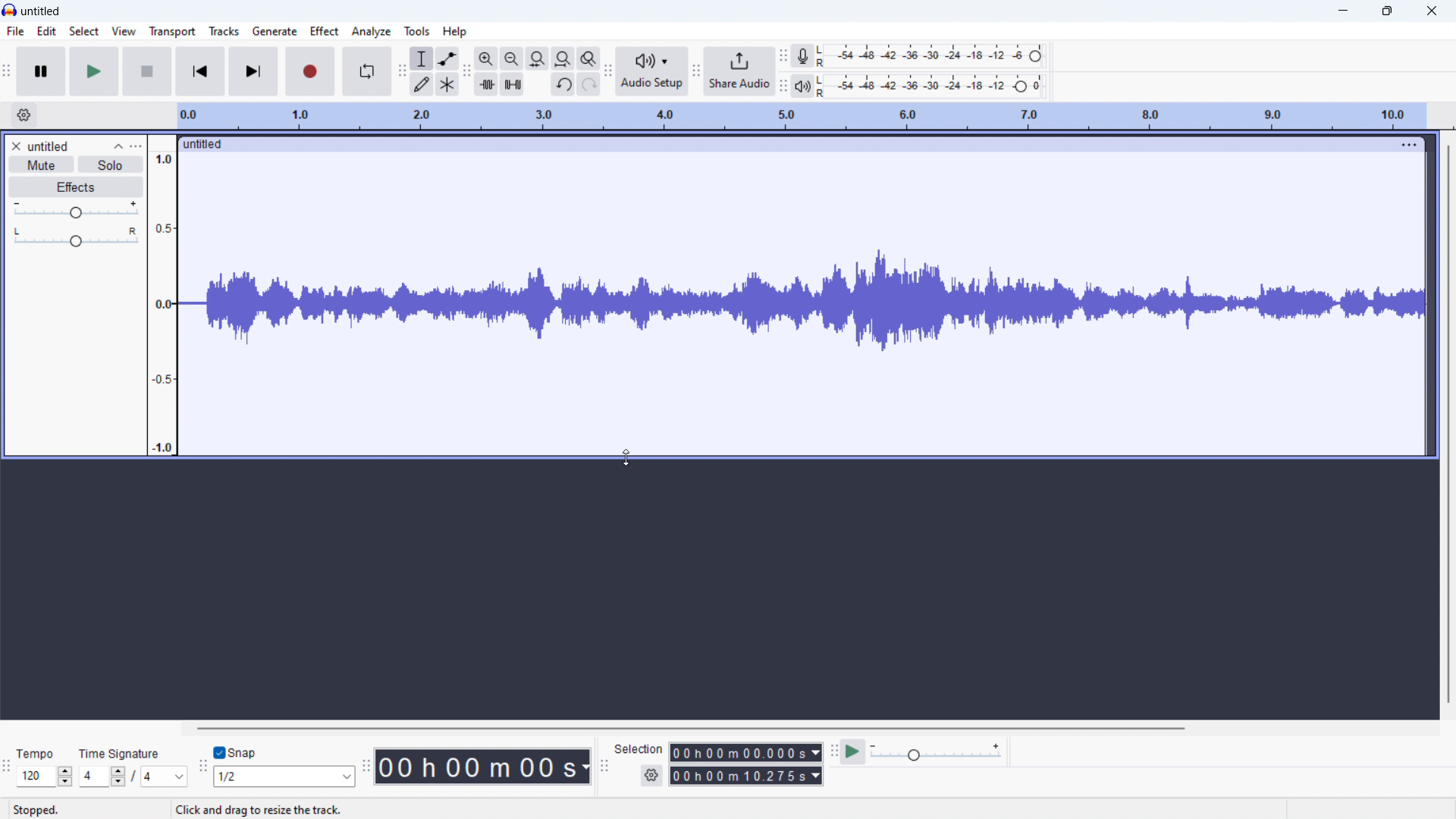  What do you see at coordinates (235, 752) in the screenshot?
I see `toggle snap` at bounding box center [235, 752].